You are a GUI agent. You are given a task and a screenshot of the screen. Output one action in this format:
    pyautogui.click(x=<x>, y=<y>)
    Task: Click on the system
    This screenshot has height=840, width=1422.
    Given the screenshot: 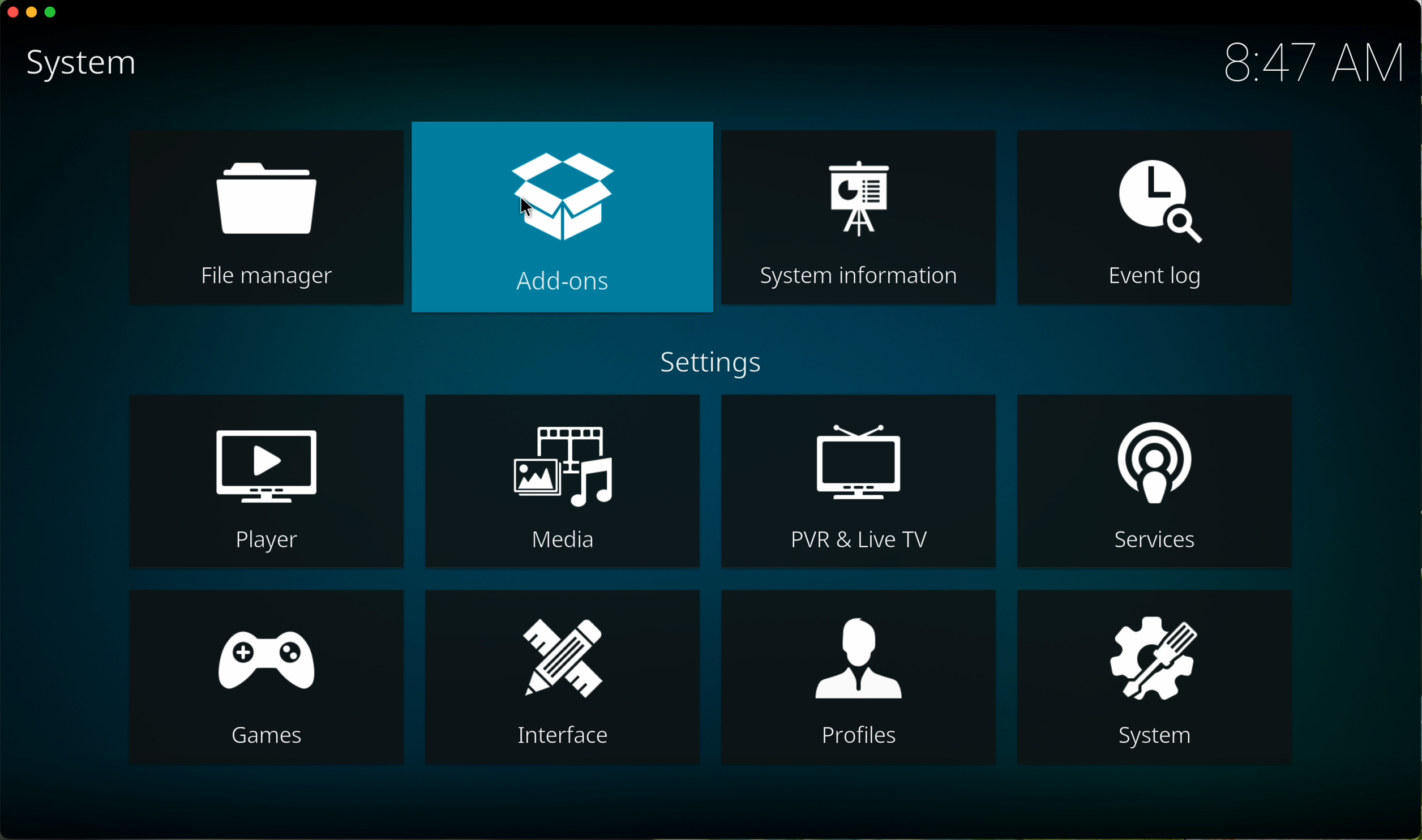 What is the action you would take?
    pyautogui.click(x=79, y=66)
    